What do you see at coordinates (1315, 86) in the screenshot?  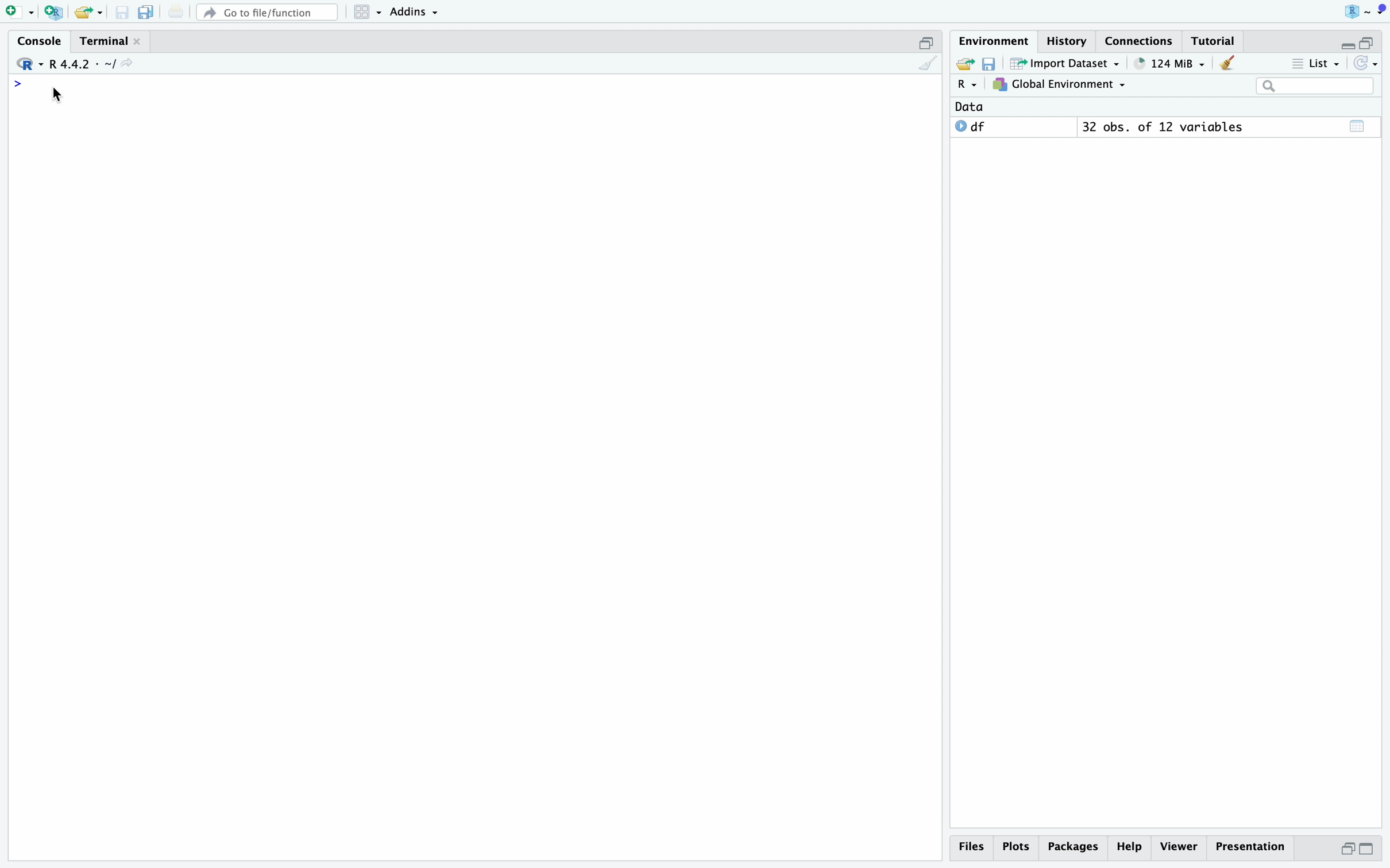 I see `search box` at bounding box center [1315, 86].